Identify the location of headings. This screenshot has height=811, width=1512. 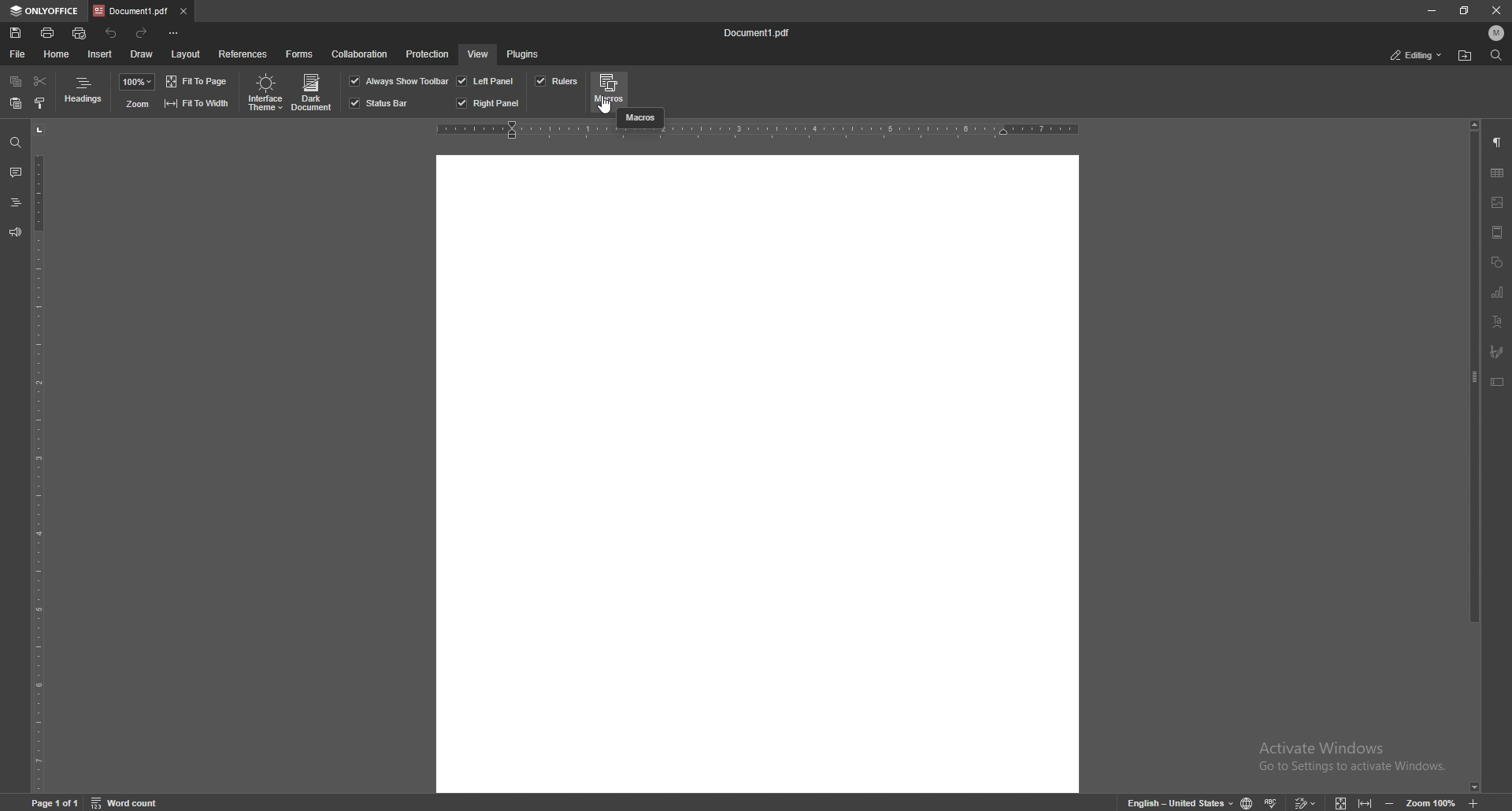
(15, 202).